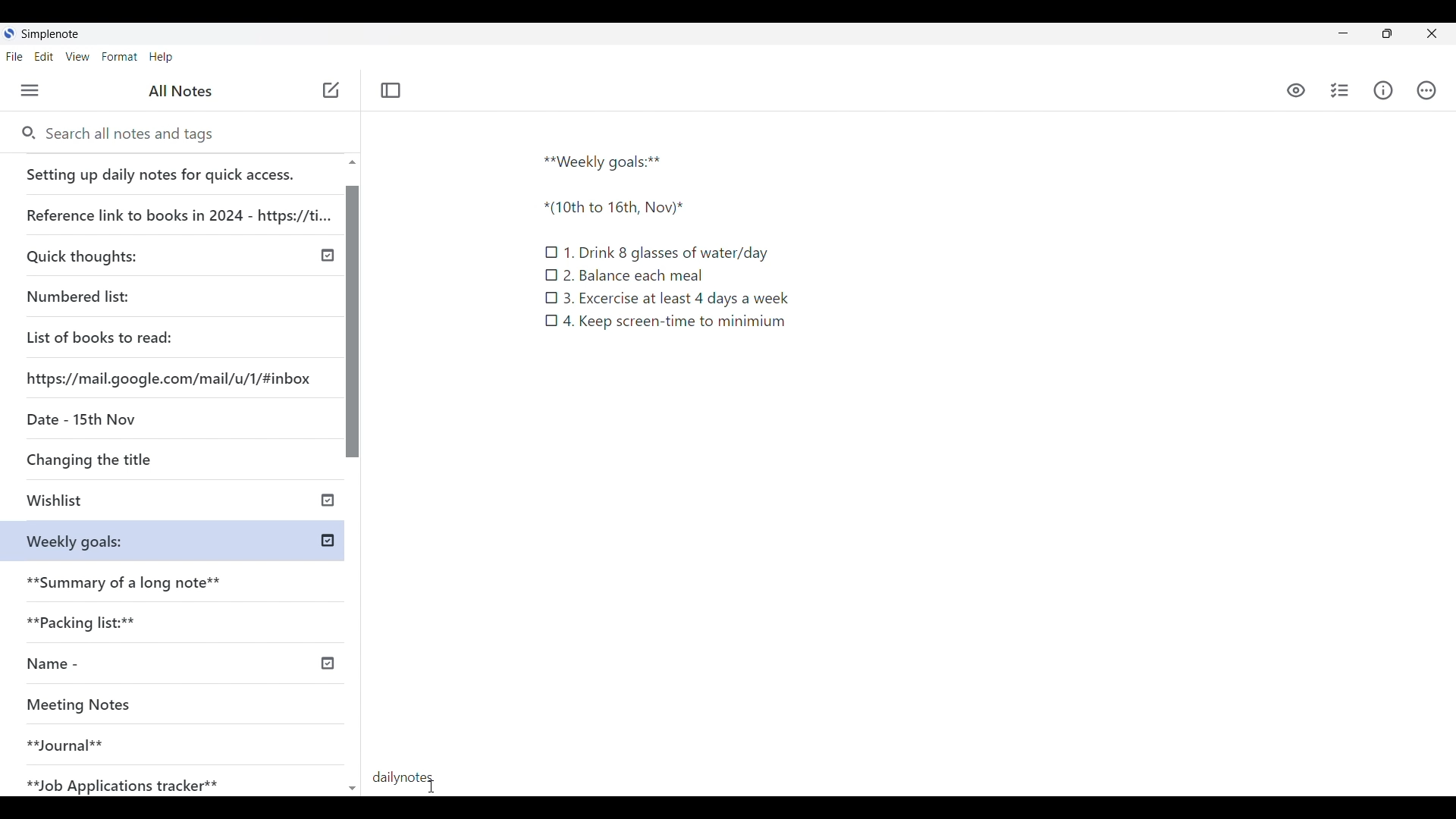  What do you see at coordinates (74, 540) in the screenshot?
I see `Weekly goals` at bounding box center [74, 540].